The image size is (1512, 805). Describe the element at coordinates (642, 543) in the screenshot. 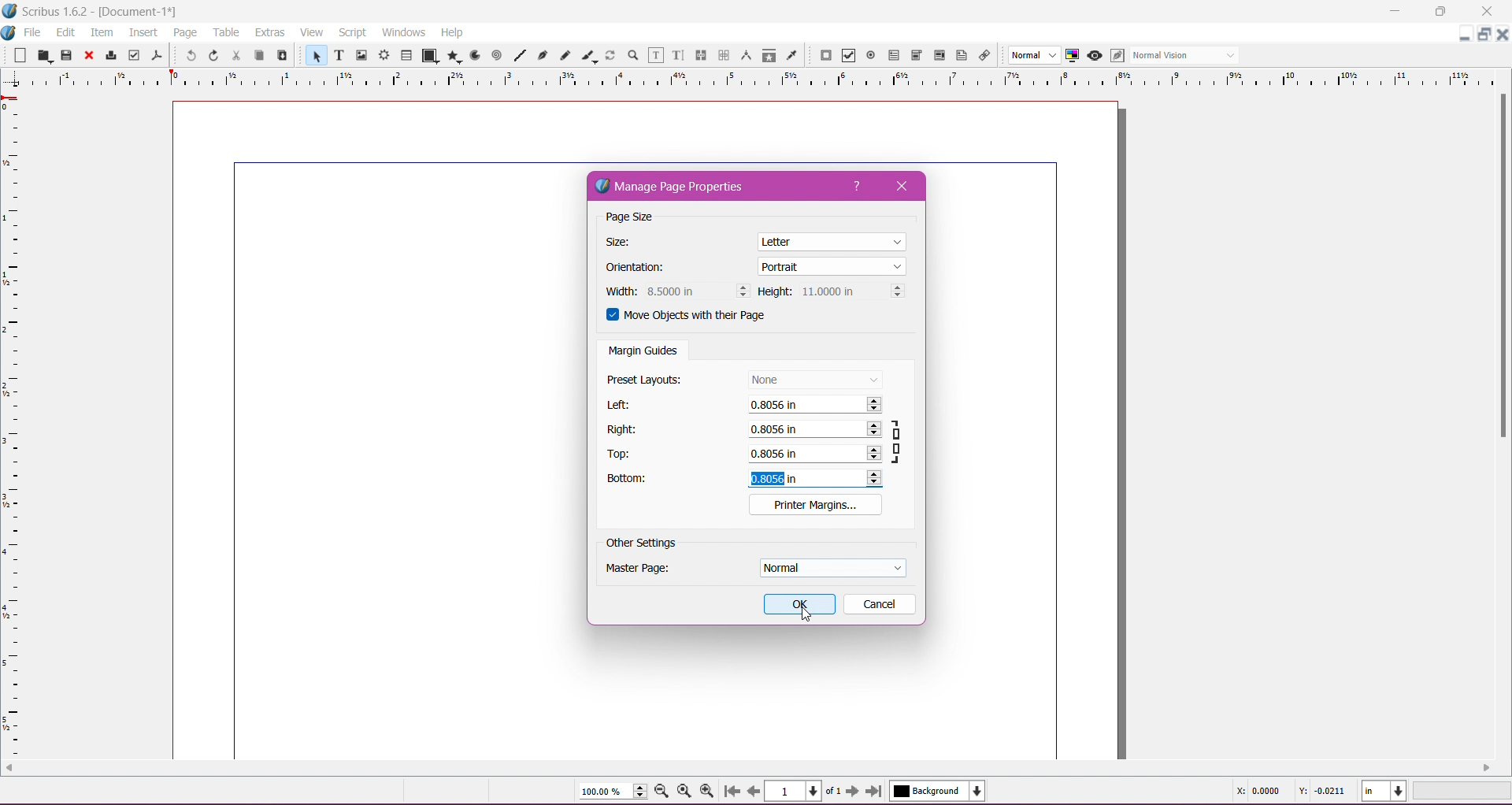

I see `Other Settings` at that location.